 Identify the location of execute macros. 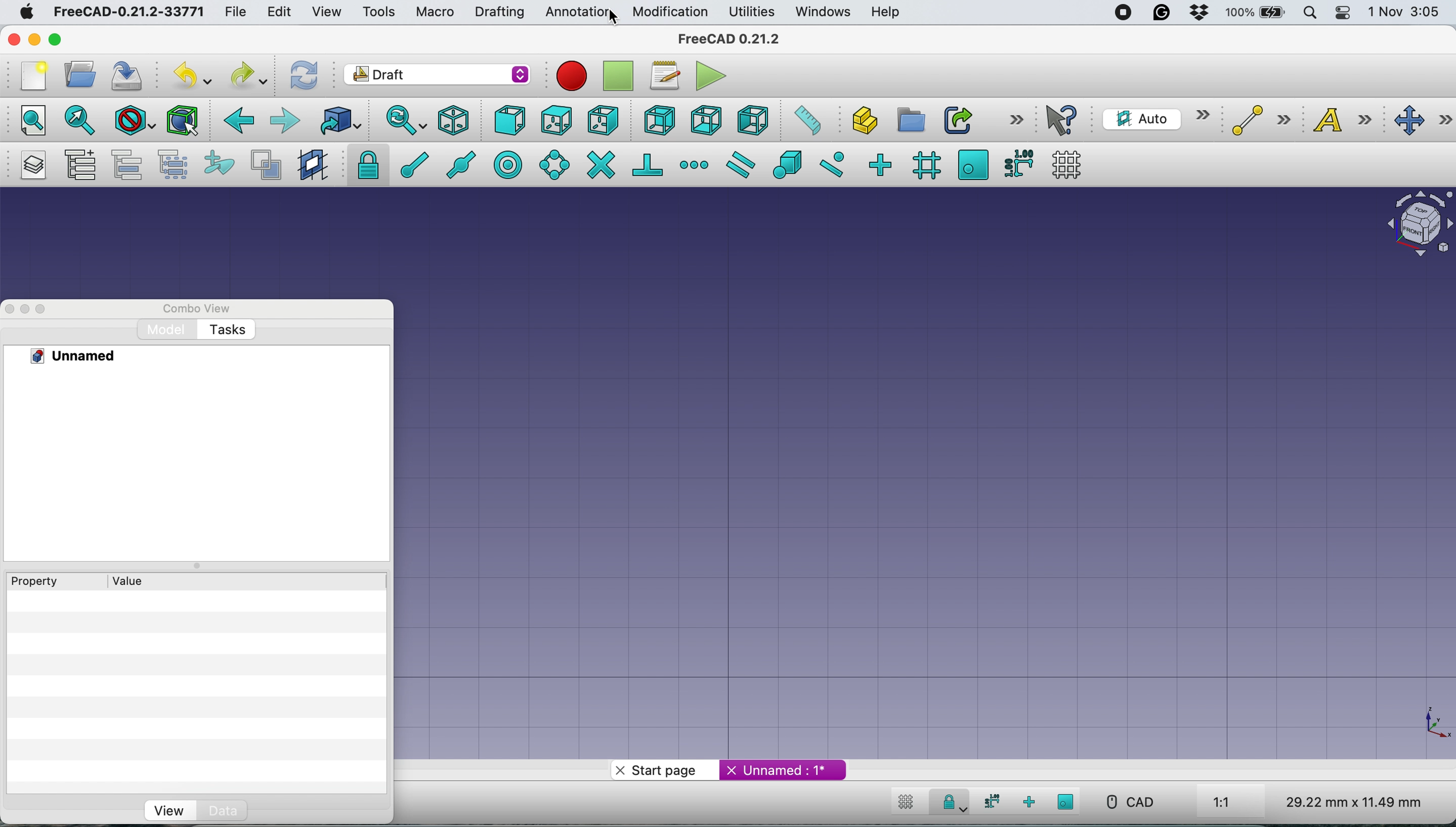
(709, 77).